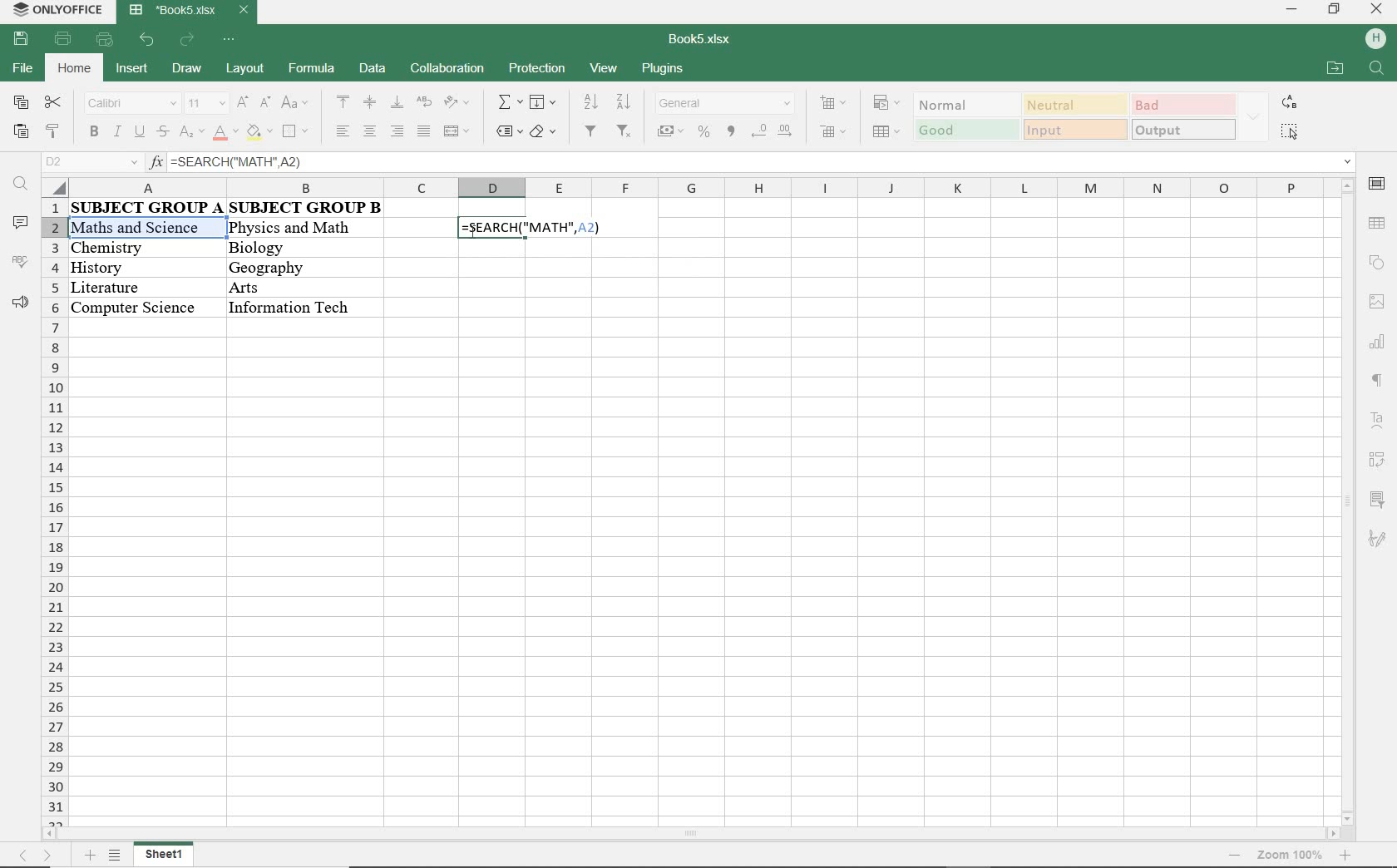 Image resolution: width=1397 pixels, height=868 pixels. What do you see at coordinates (694, 836) in the screenshot?
I see `scrollbar` at bounding box center [694, 836].